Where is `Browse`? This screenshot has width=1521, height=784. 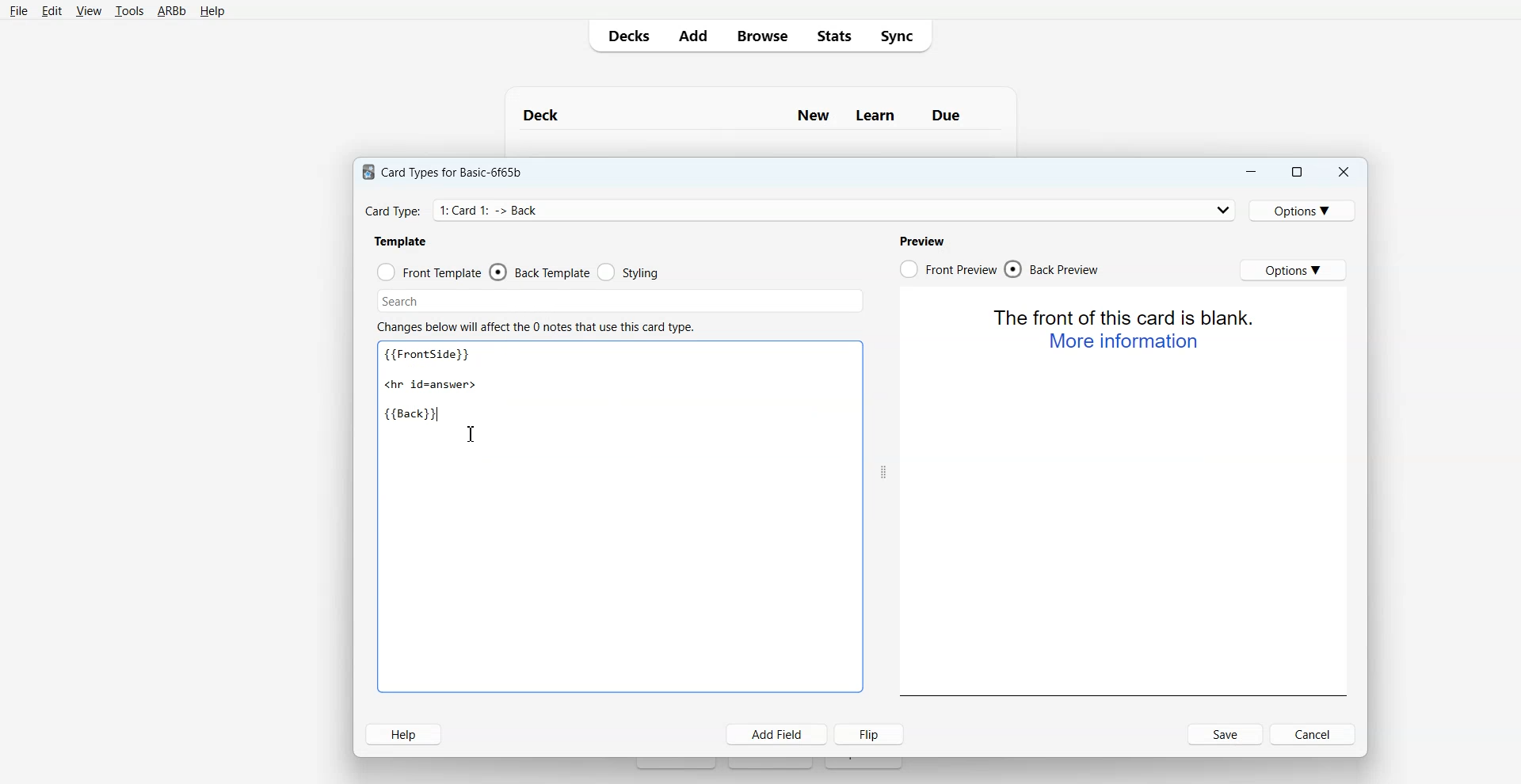
Browse is located at coordinates (760, 36).